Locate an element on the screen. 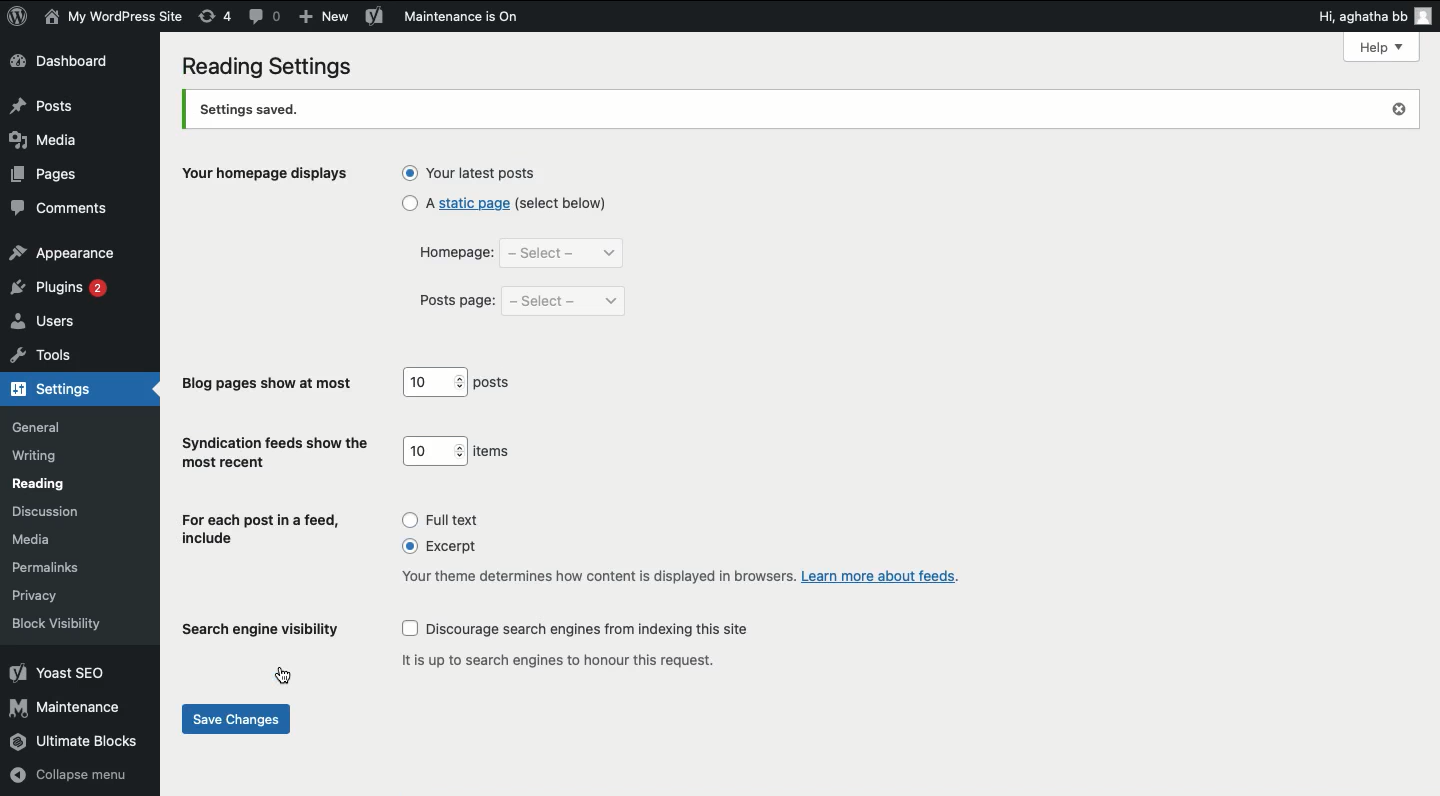 The image size is (1440, 796). comment is located at coordinates (266, 16).